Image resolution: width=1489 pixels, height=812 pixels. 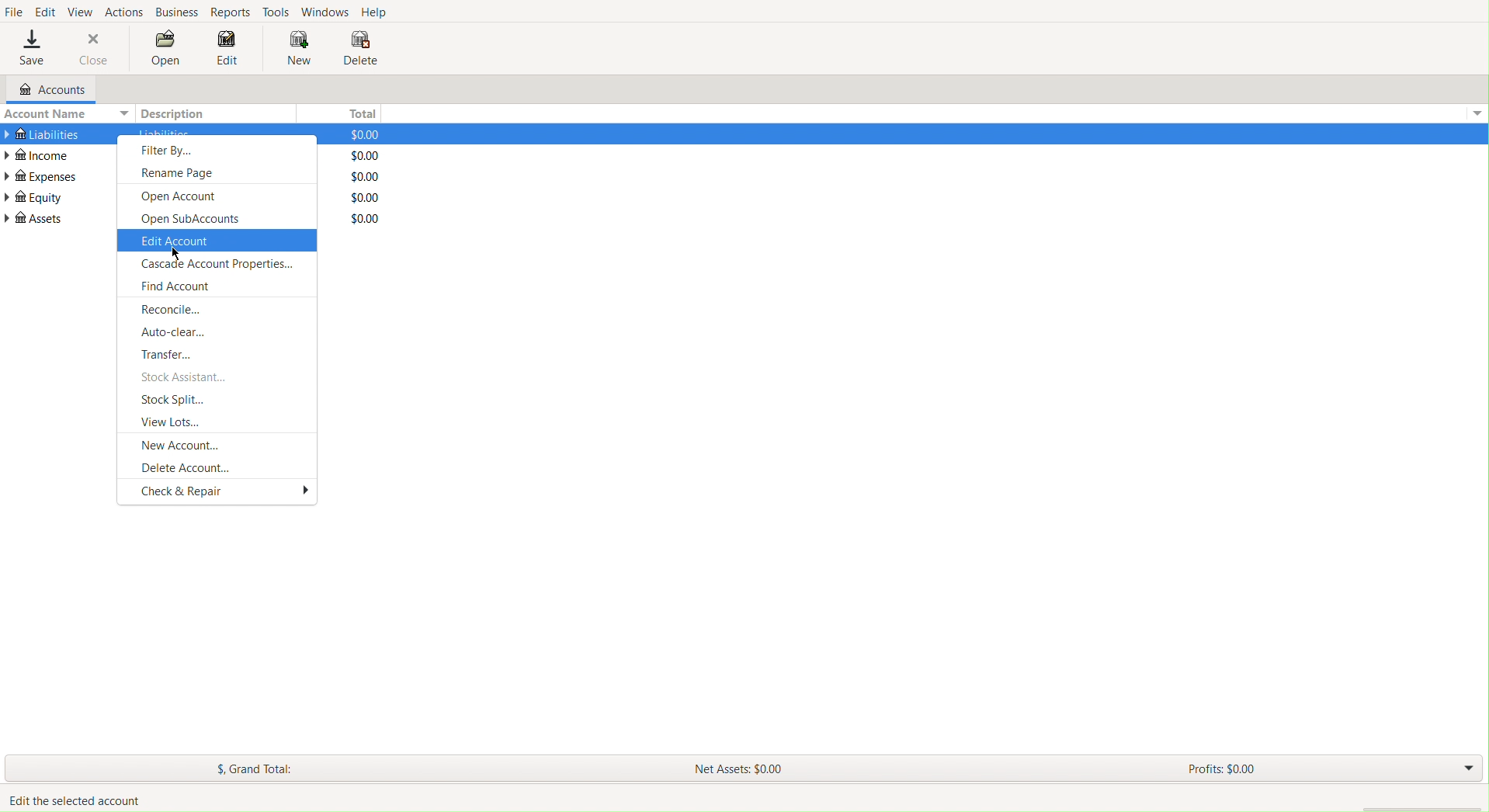 What do you see at coordinates (82, 10) in the screenshot?
I see `View` at bounding box center [82, 10].